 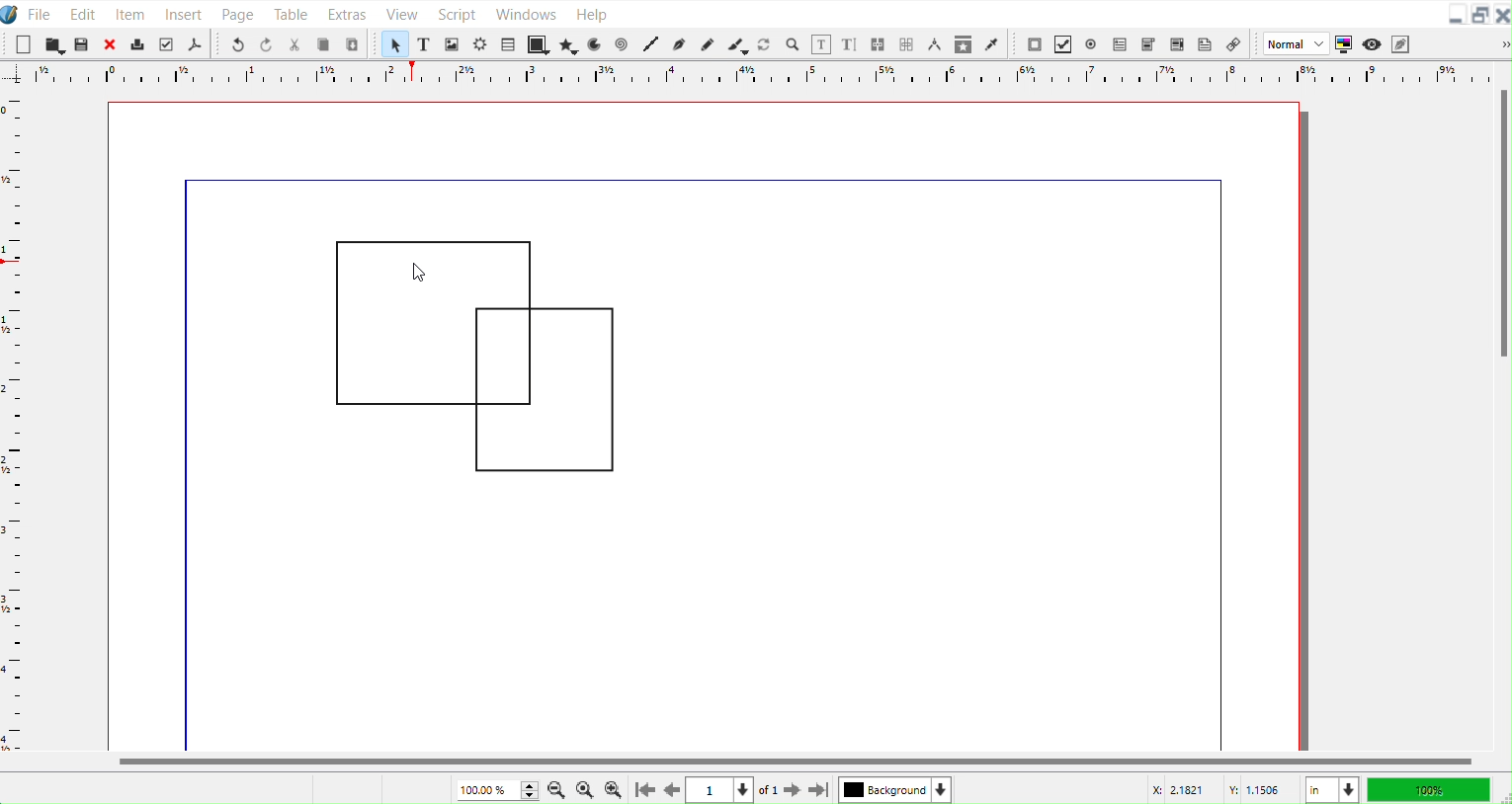 I want to click on Cursor, so click(x=418, y=273).